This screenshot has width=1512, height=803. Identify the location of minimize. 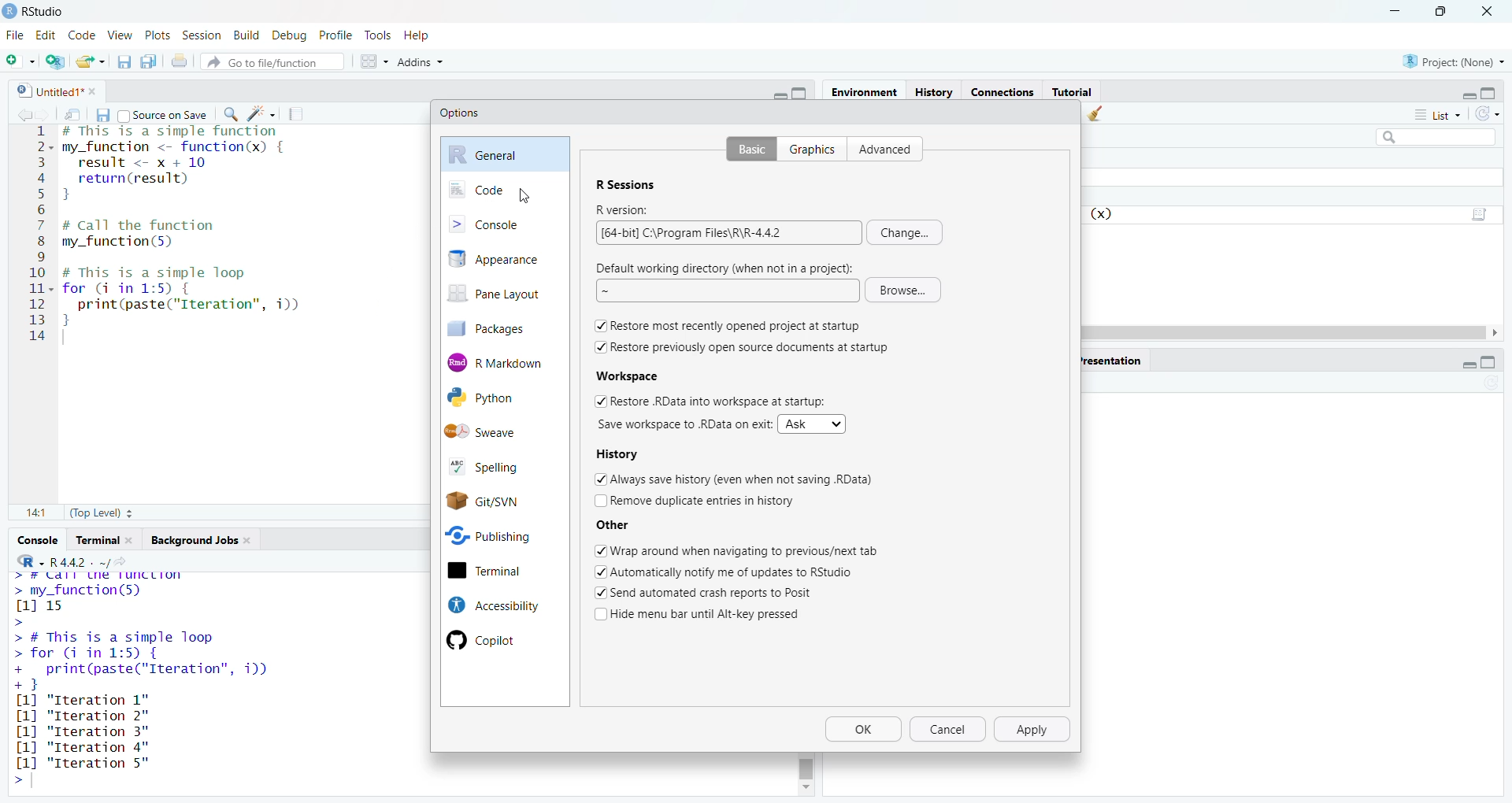
(1394, 9).